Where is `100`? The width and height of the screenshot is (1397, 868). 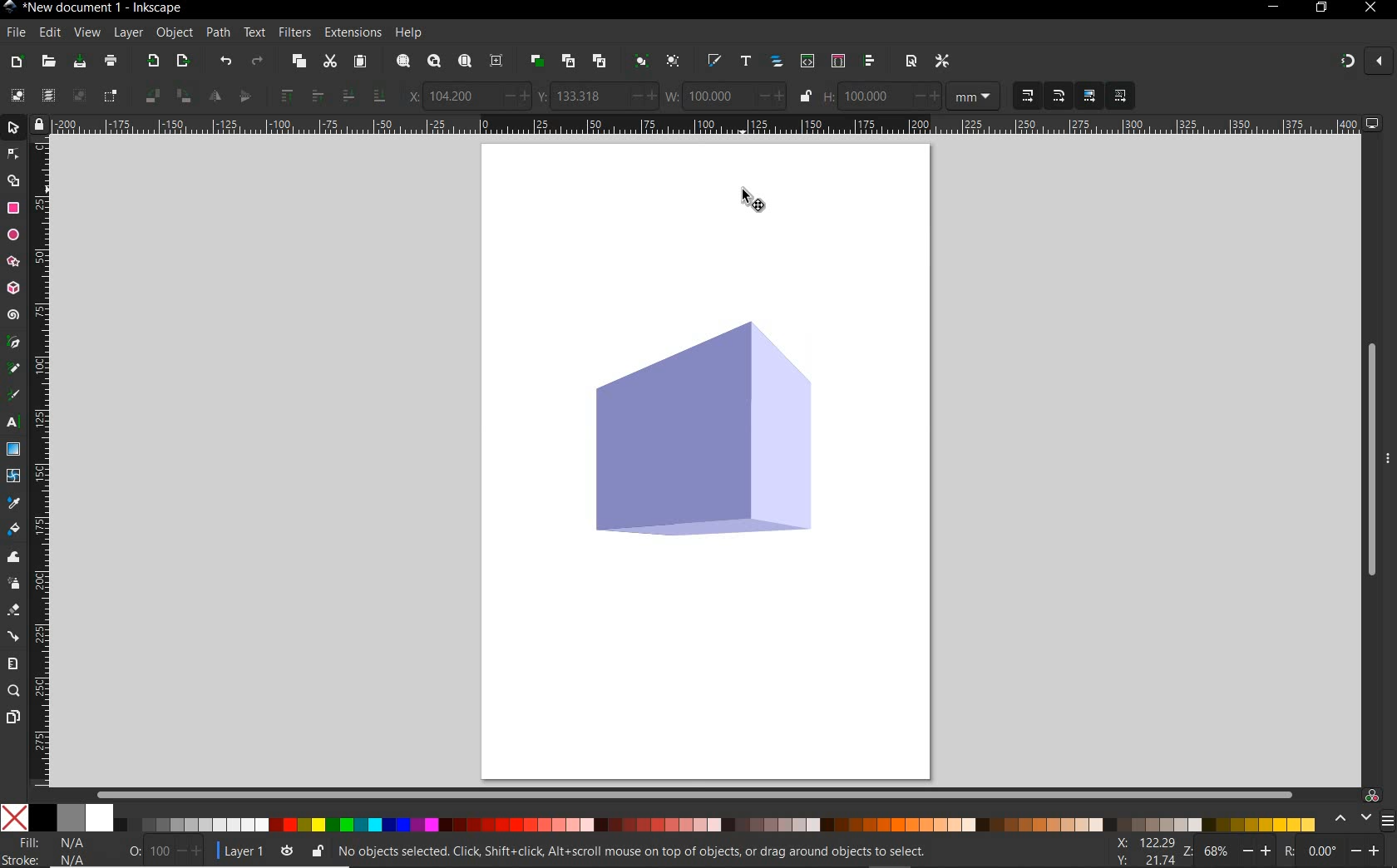
100 is located at coordinates (716, 96).